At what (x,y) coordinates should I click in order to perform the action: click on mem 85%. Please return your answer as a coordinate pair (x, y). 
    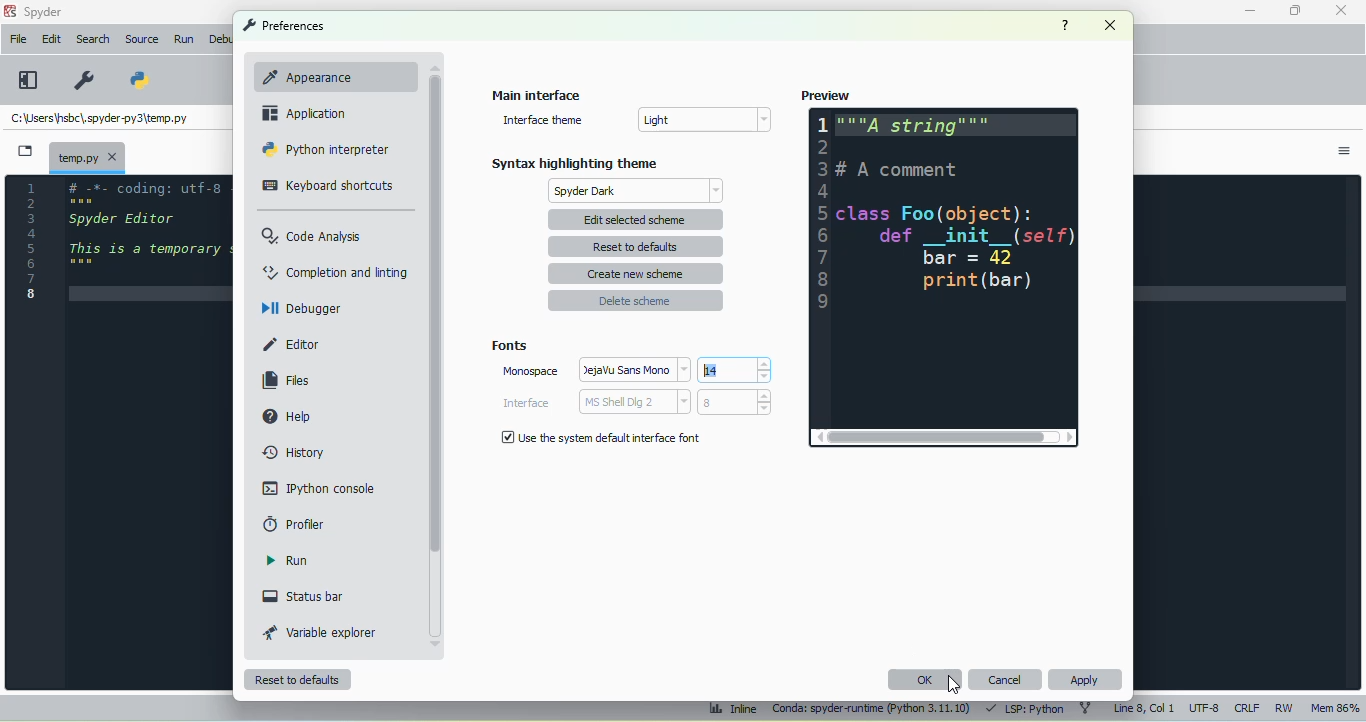
    Looking at the image, I should click on (1334, 707).